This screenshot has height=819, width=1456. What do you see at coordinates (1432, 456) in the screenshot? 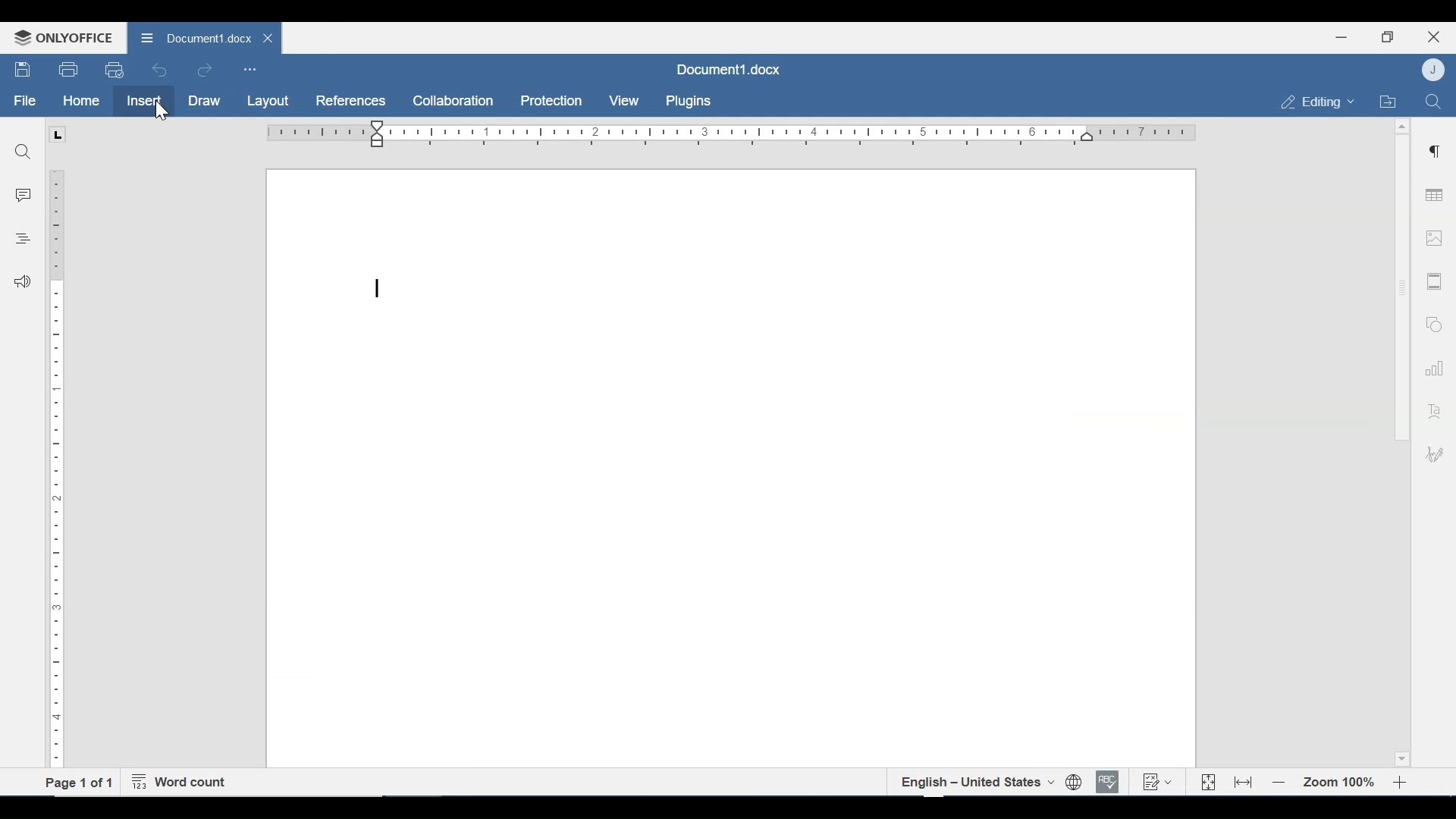
I see `Signature` at bounding box center [1432, 456].